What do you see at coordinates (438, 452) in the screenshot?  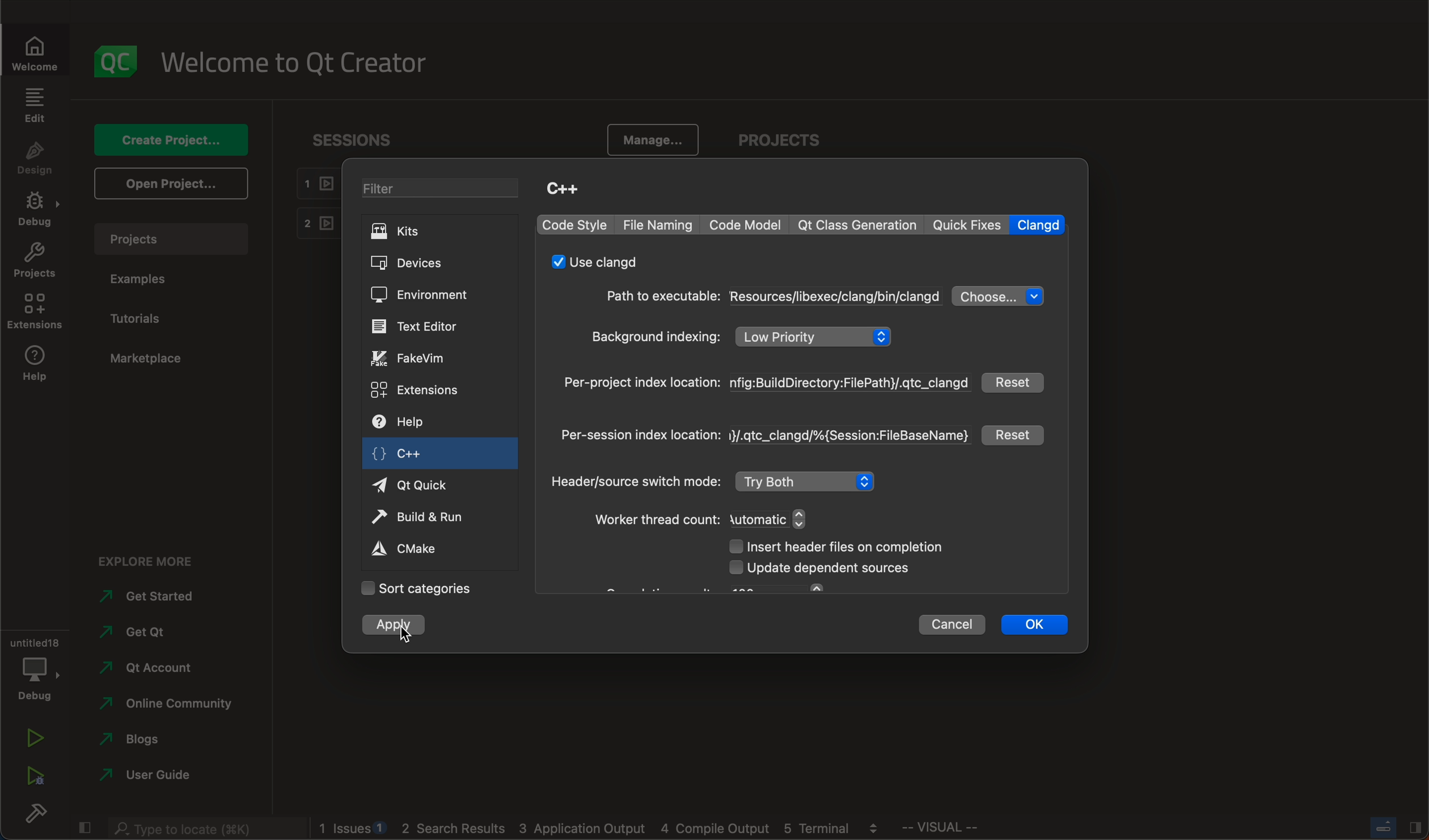 I see `c++` at bounding box center [438, 452].